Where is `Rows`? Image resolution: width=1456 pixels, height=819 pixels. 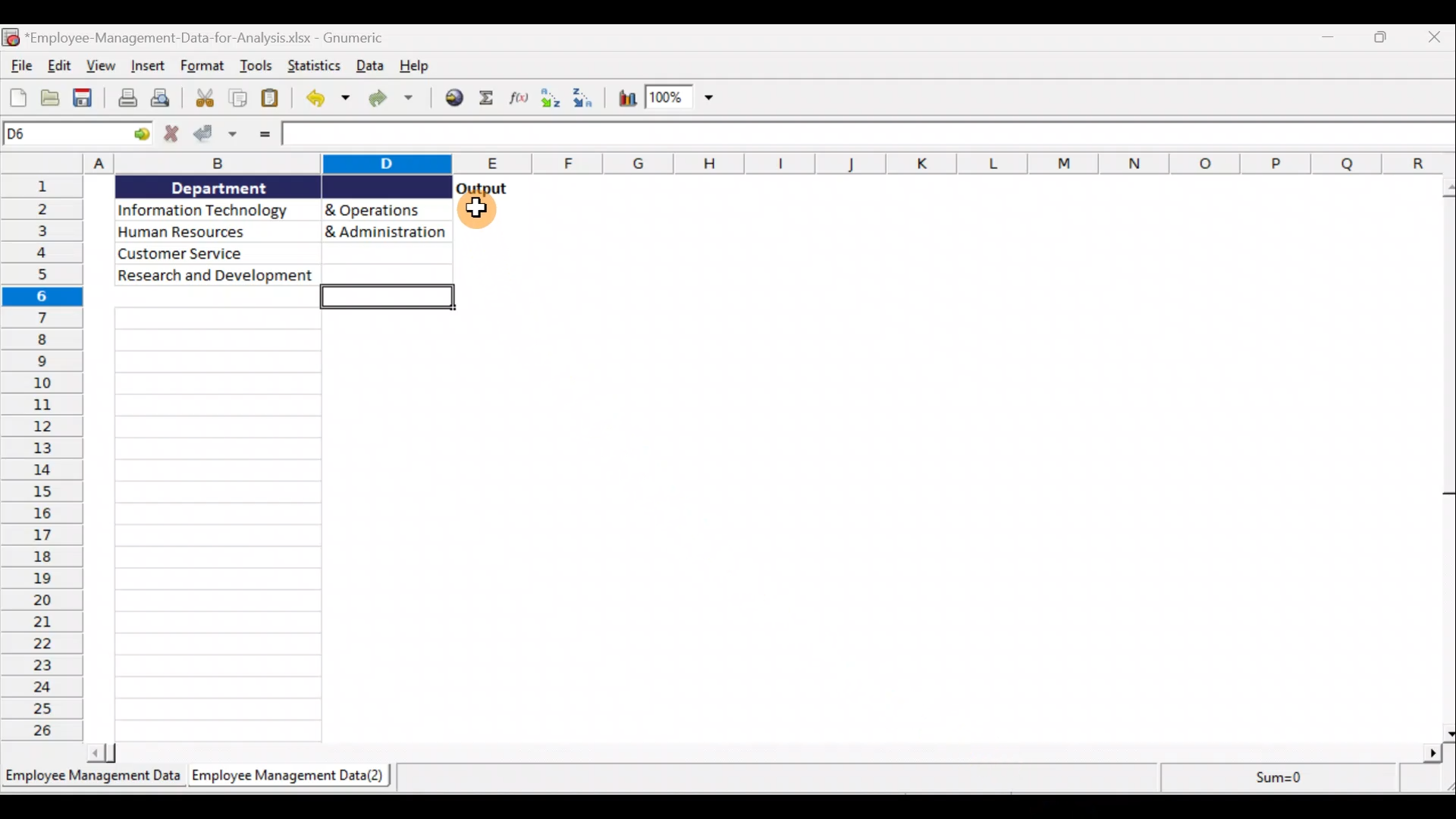
Rows is located at coordinates (45, 459).